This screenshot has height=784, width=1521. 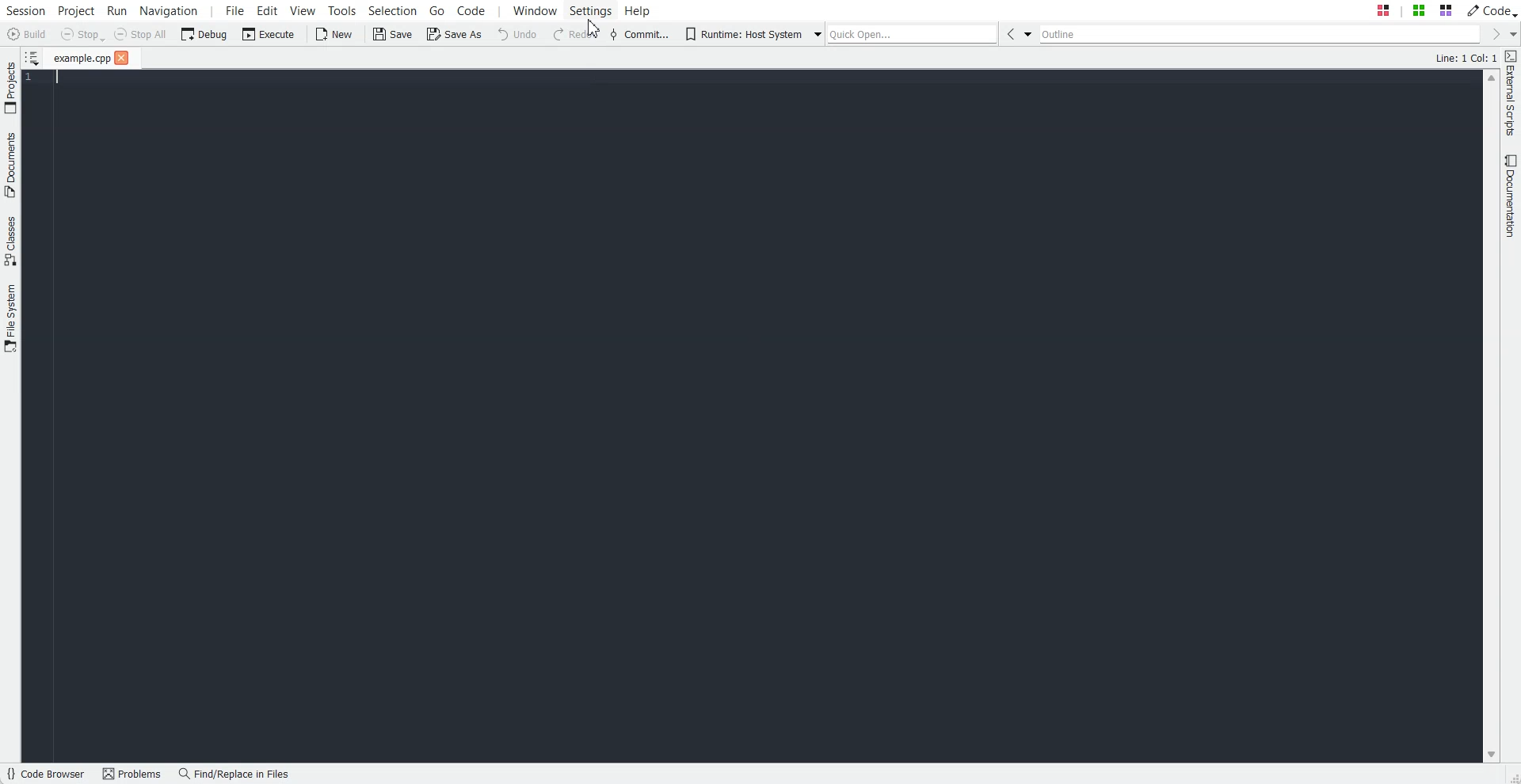 I want to click on Save, so click(x=391, y=33).